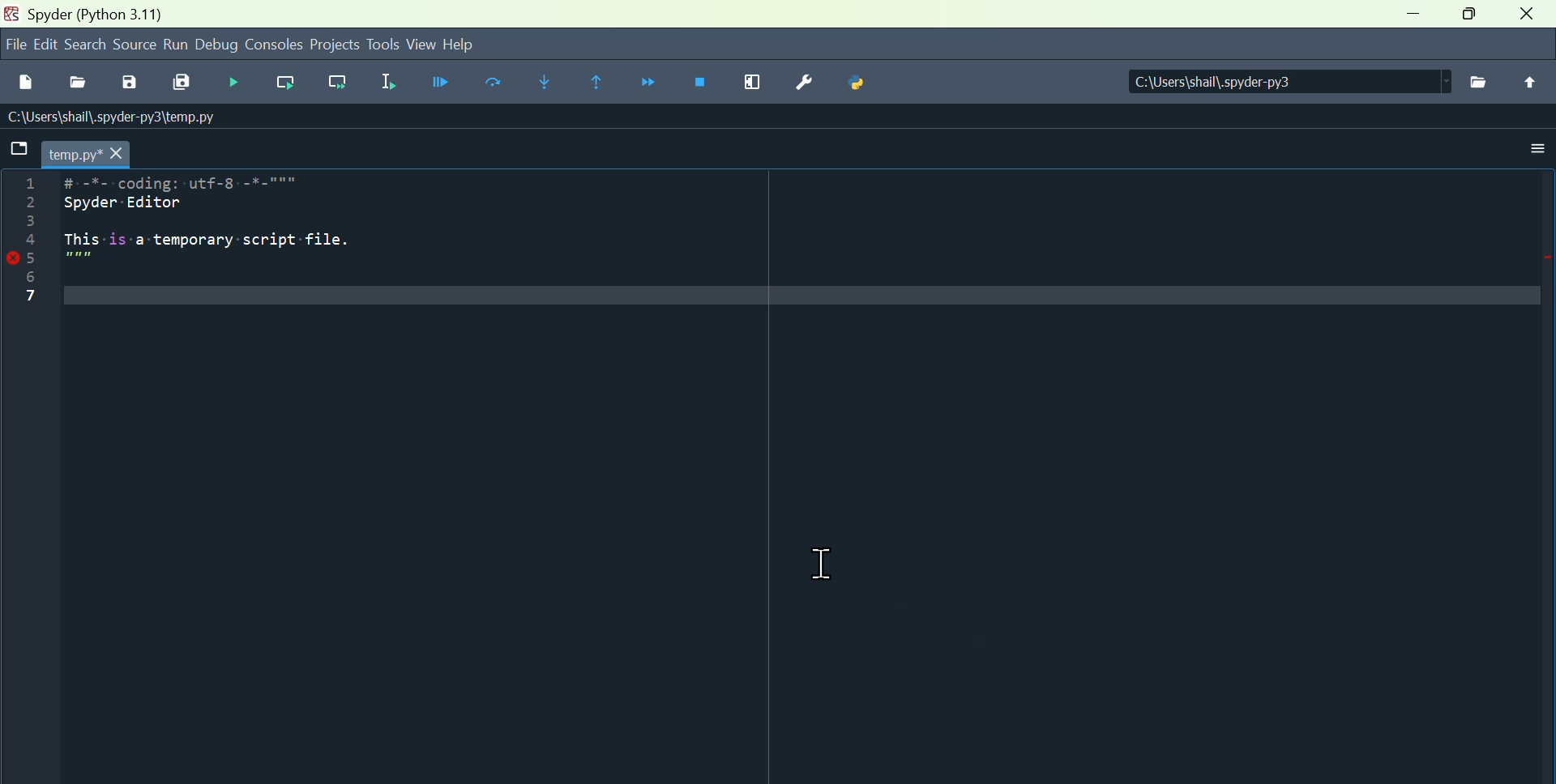  Describe the element at coordinates (387, 85) in the screenshot. I see `Run selection` at that location.